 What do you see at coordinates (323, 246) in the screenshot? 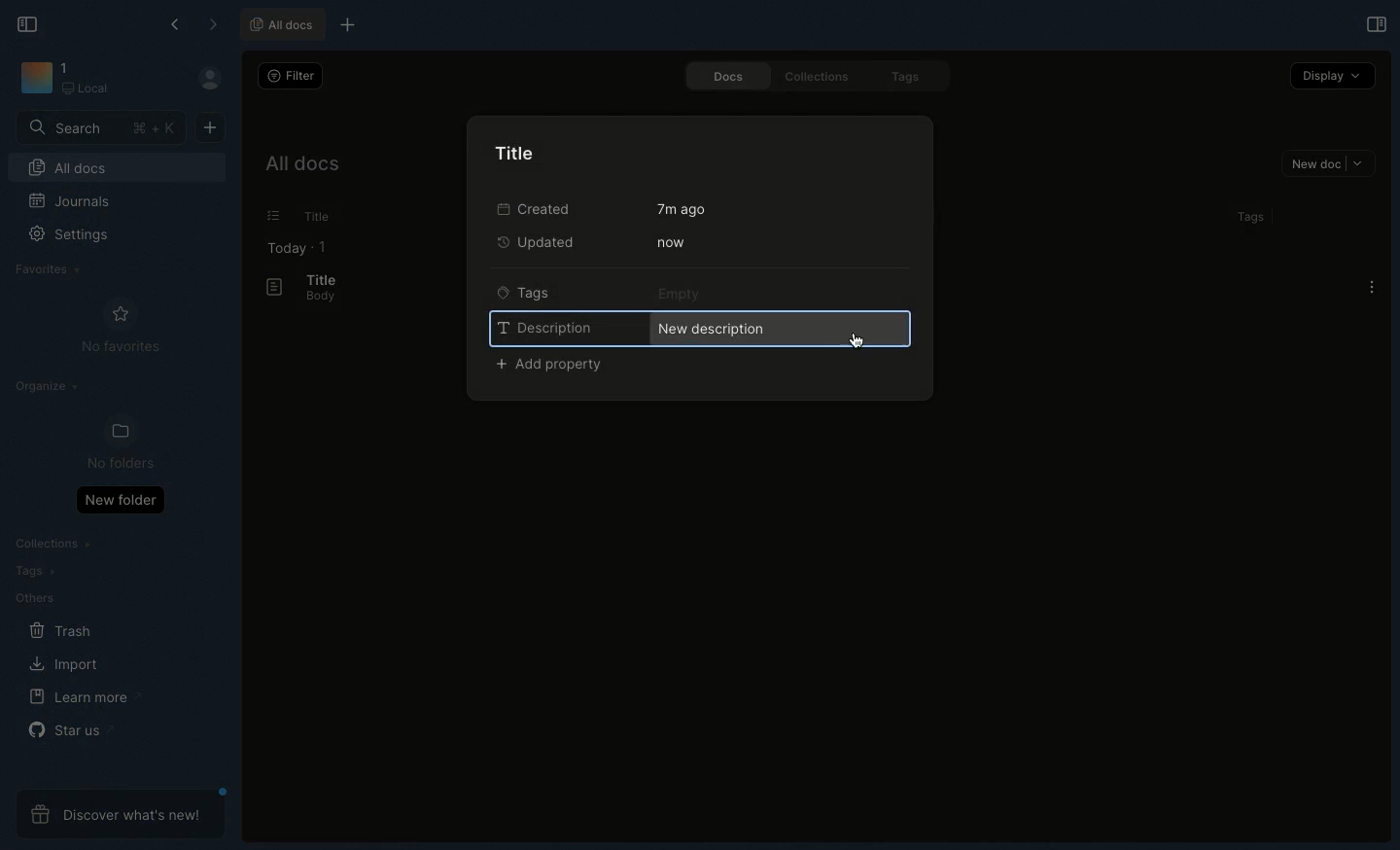
I see `1 item` at bounding box center [323, 246].